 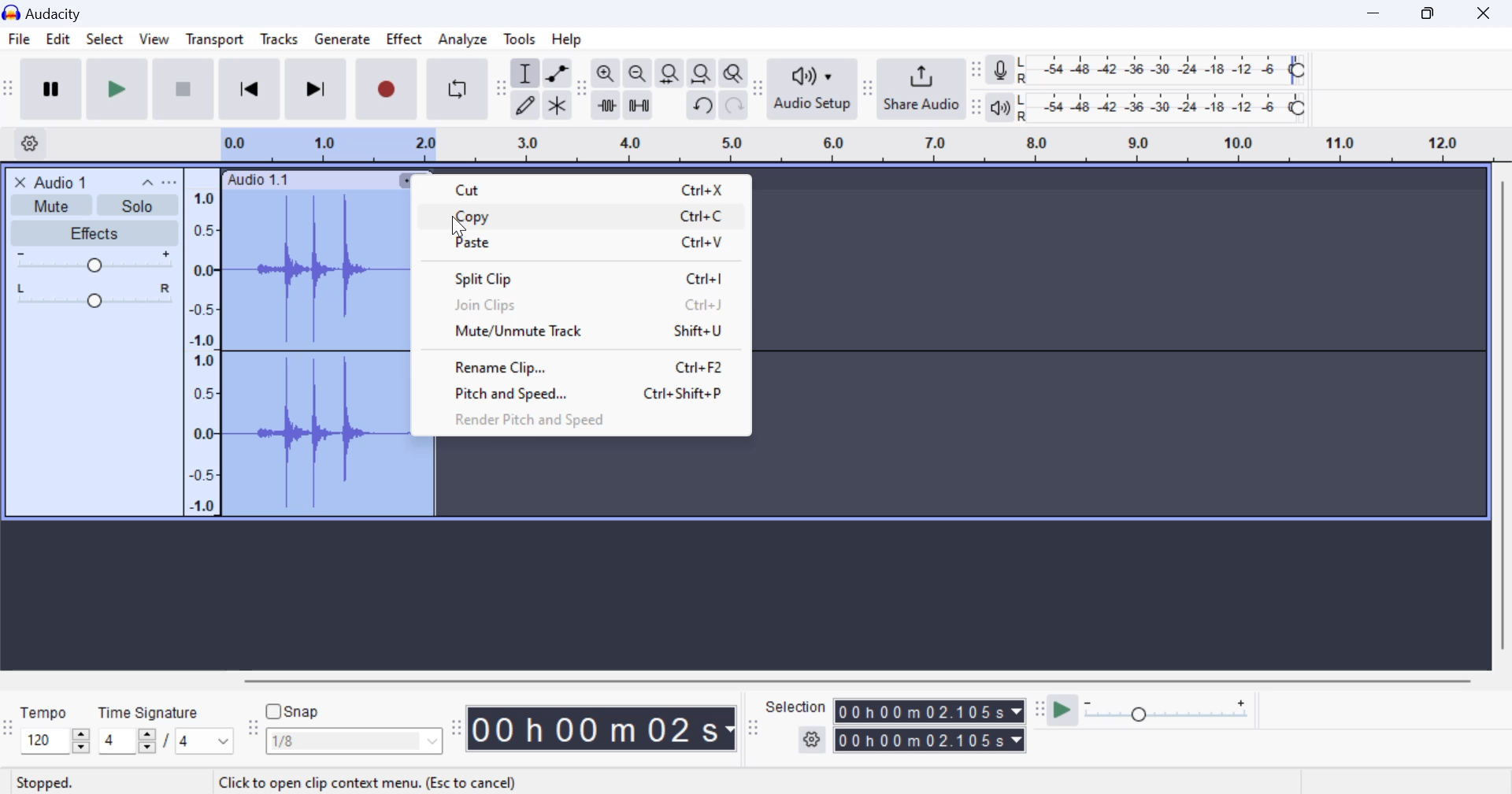 What do you see at coordinates (214, 42) in the screenshot?
I see `Transport` at bounding box center [214, 42].